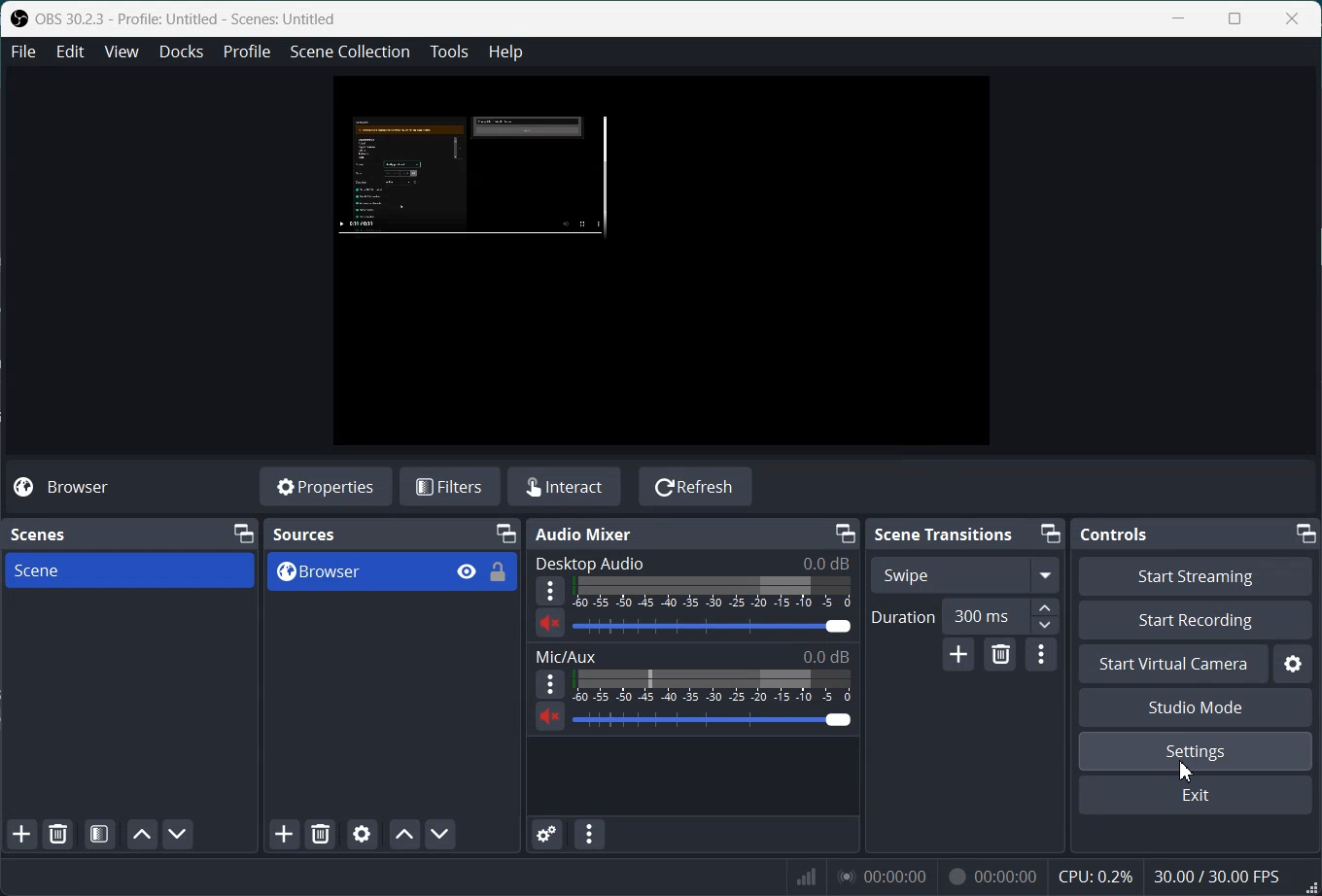 The height and width of the screenshot is (896, 1322). What do you see at coordinates (1292, 664) in the screenshot?
I see `Settings` at bounding box center [1292, 664].